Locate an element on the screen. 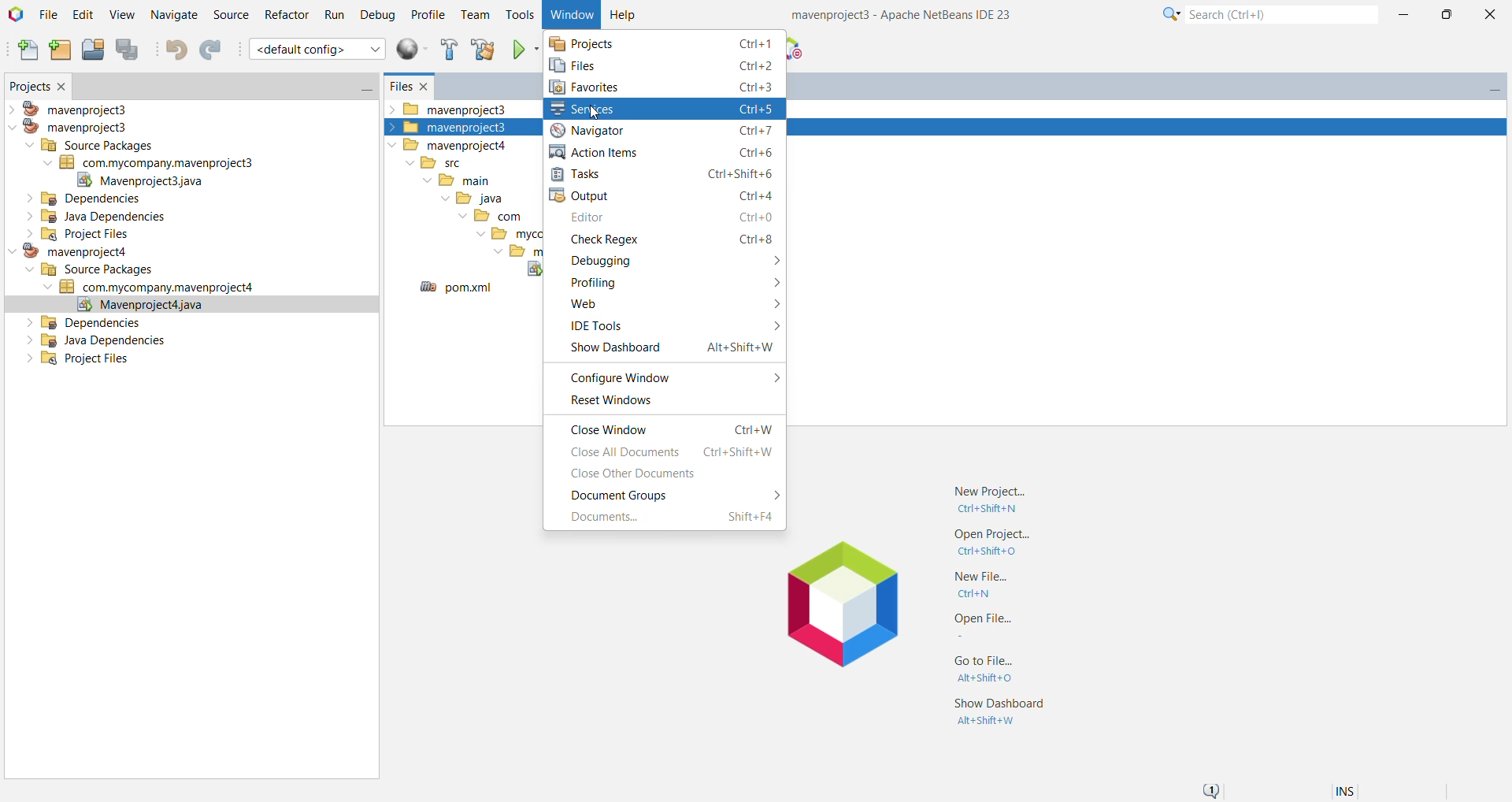 The height and width of the screenshot is (802, 1512). Open Project is located at coordinates (91, 50).